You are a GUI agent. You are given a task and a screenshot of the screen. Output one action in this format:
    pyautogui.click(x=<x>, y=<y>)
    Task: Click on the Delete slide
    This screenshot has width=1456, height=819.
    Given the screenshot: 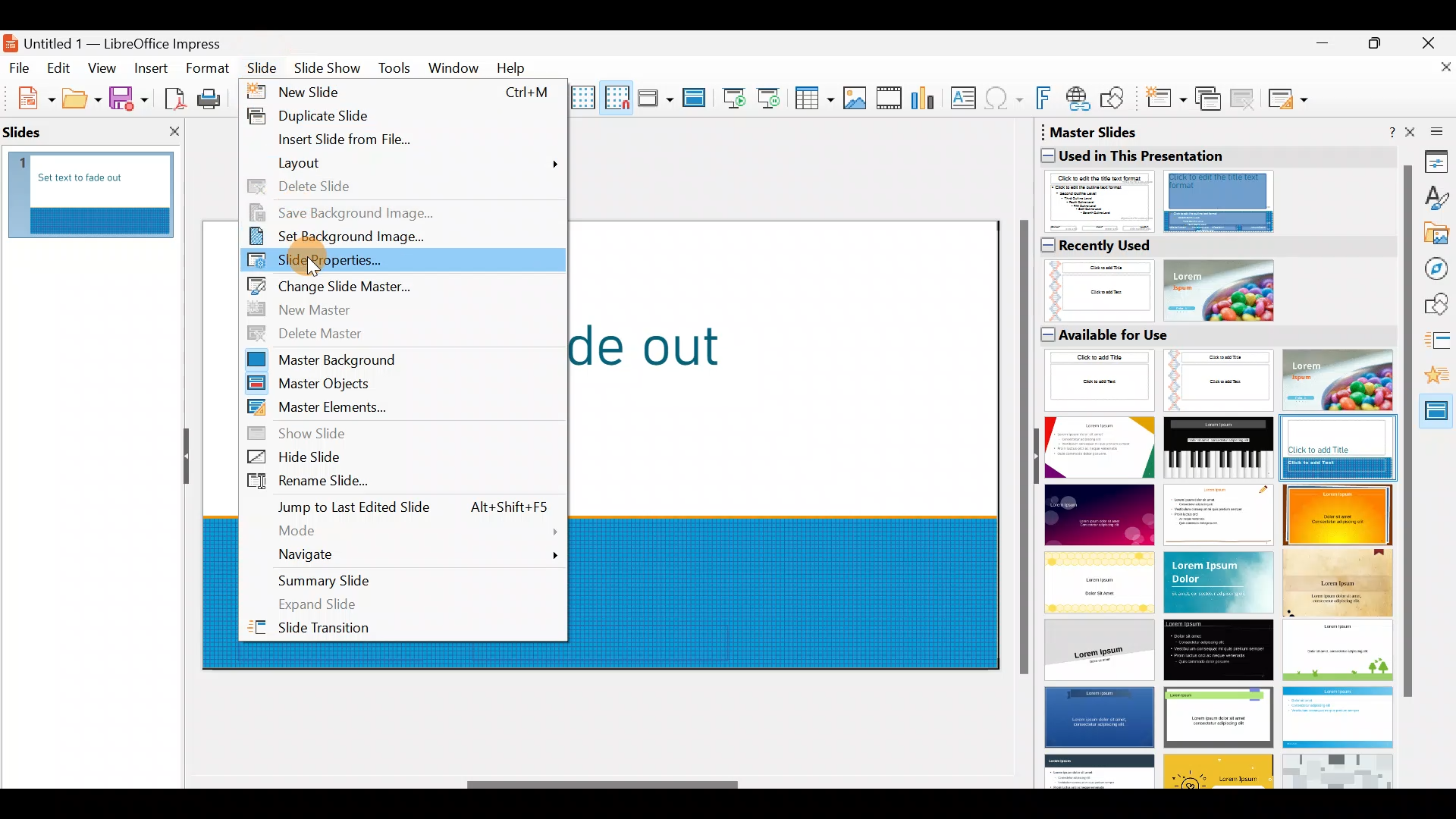 What is the action you would take?
    pyautogui.click(x=1245, y=98)
    